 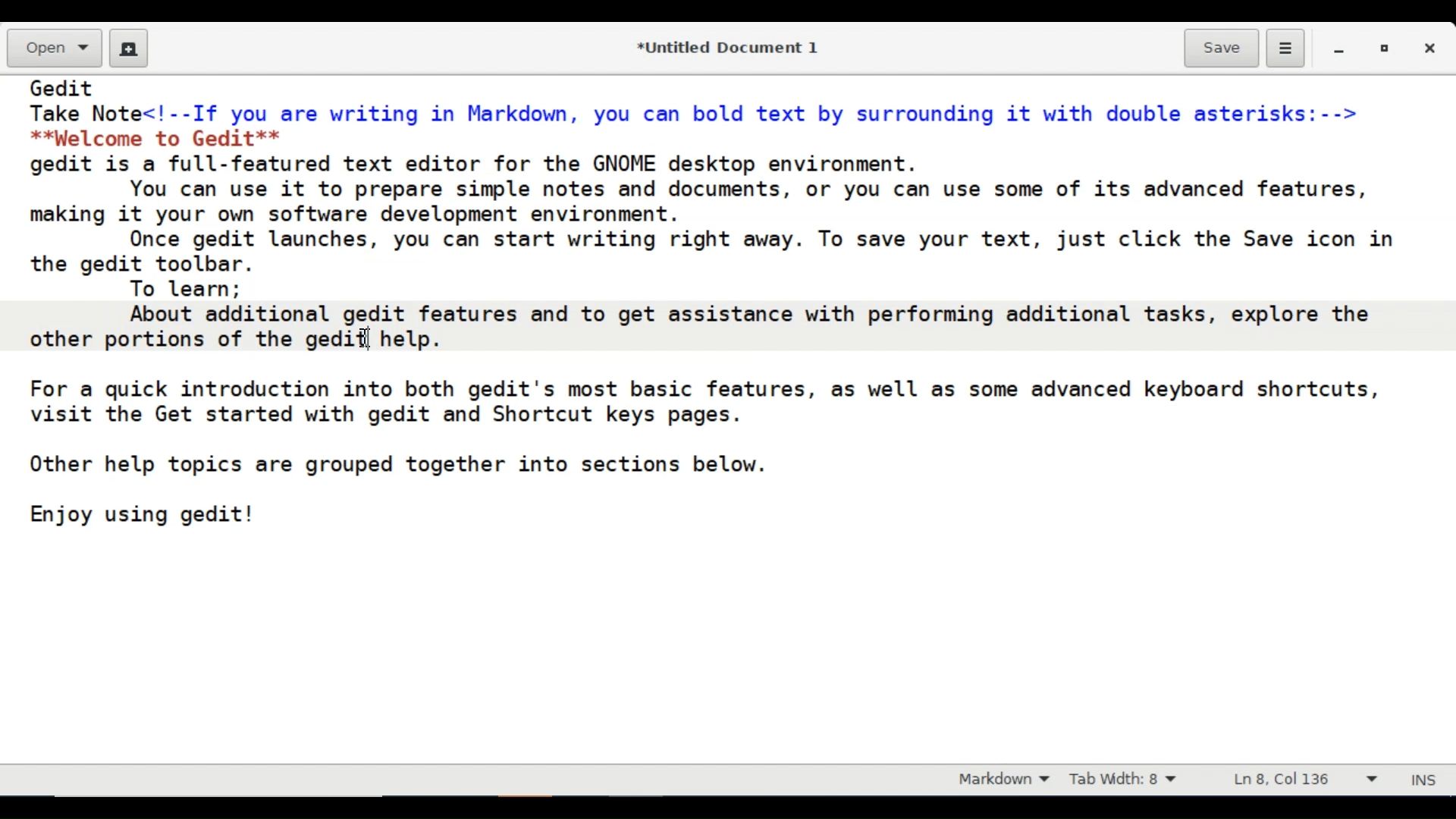 I want to click on Gedit Take Note<!--If you are writing in Markdown, you can bold text by surrounding it with double asterisks:--> **Welcome to Gedit** gedit is a full-featured text editor for the GNOME desktop environment. You can use it to prepare simple notes and documents, or you can use some of its advanced features, making it your own software development environment, so click(x=727, y=420).